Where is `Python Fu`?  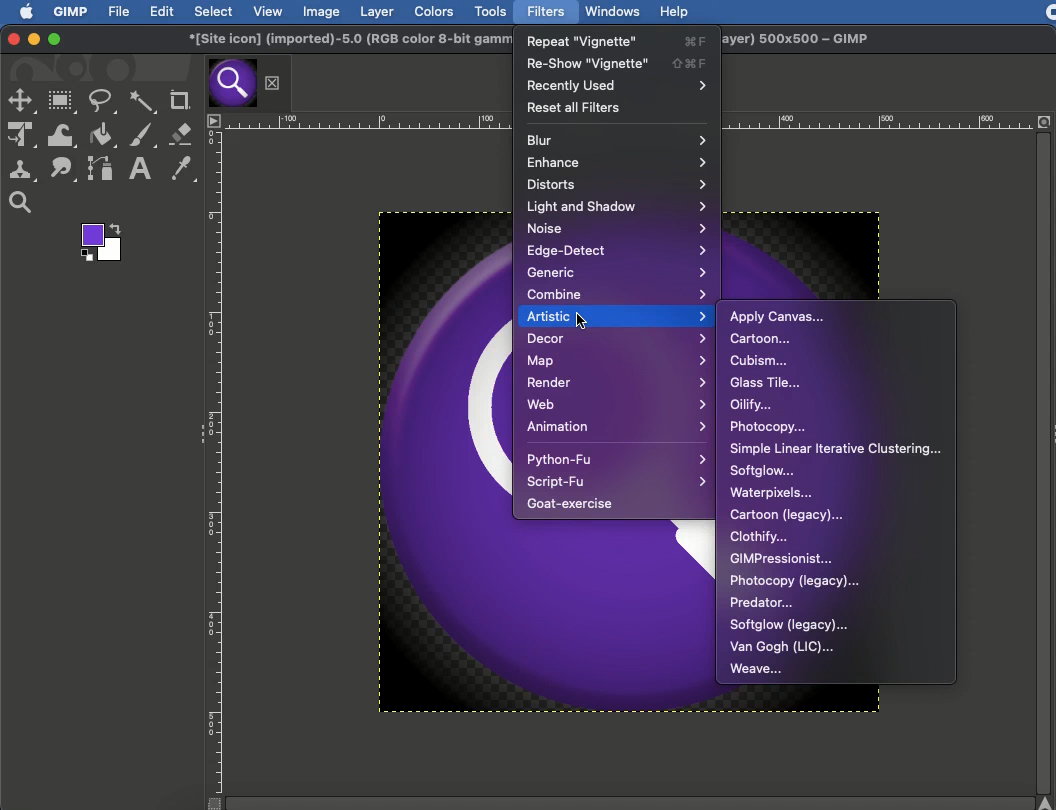
Python Fu is located at coordinates (615, 459).